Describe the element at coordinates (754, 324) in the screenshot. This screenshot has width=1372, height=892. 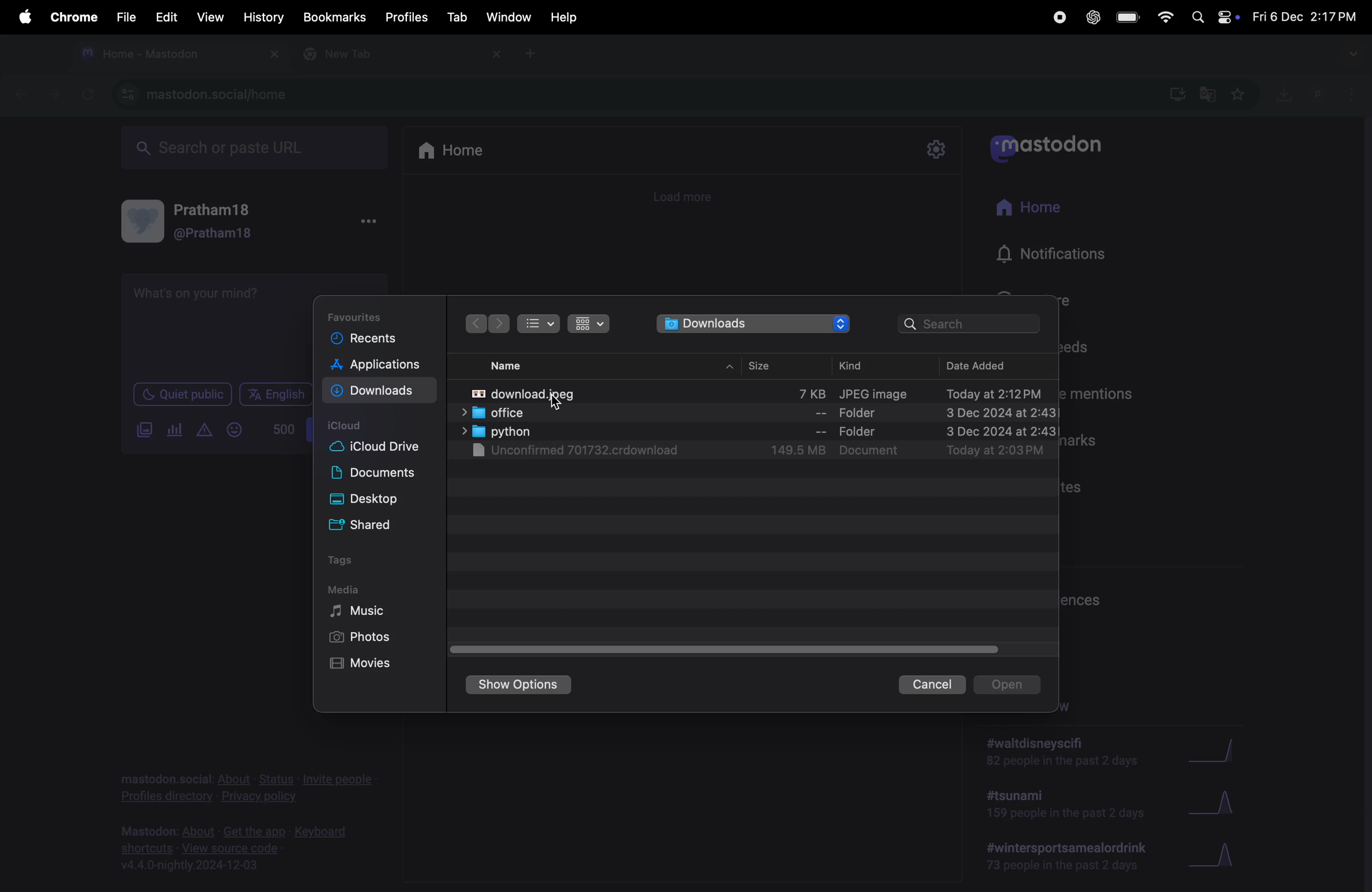
I see `downloads` at that location.